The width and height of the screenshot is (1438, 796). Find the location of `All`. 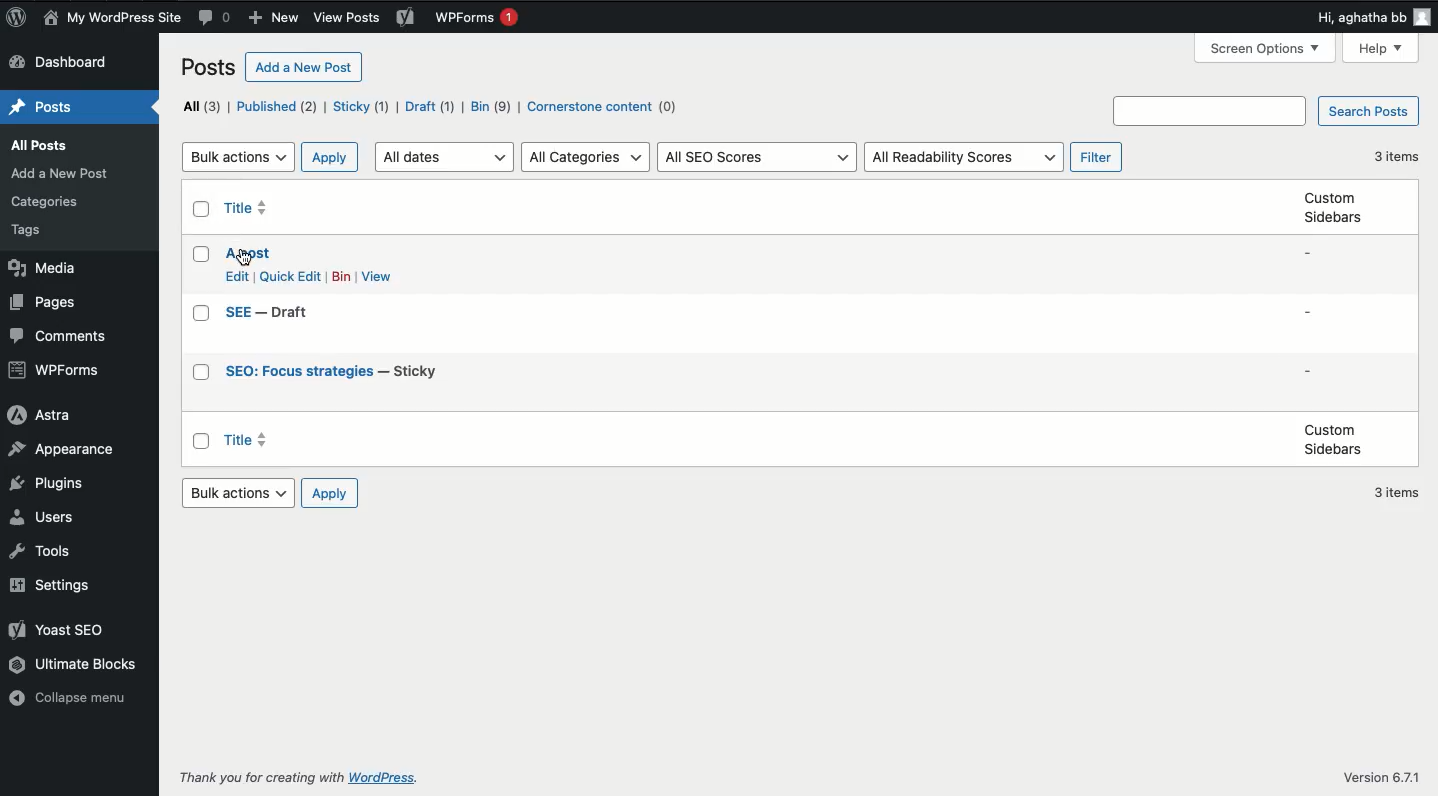

All is located at coordinates (201, 105).